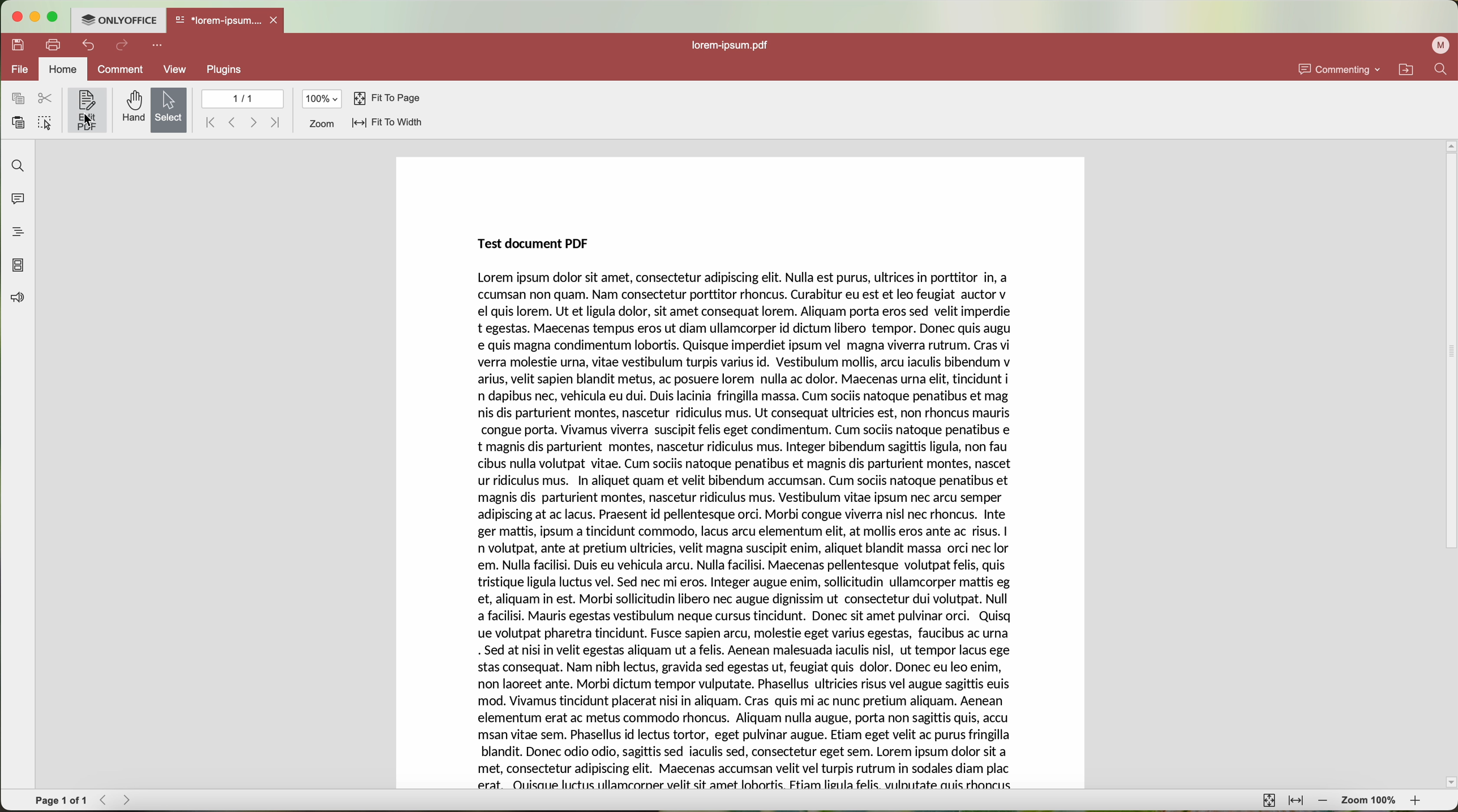 The height and width of the screenshot is (812, 1458). Describe the element at coordinates (1270, 801) in the screenshot. I see `fit to page` at that location.